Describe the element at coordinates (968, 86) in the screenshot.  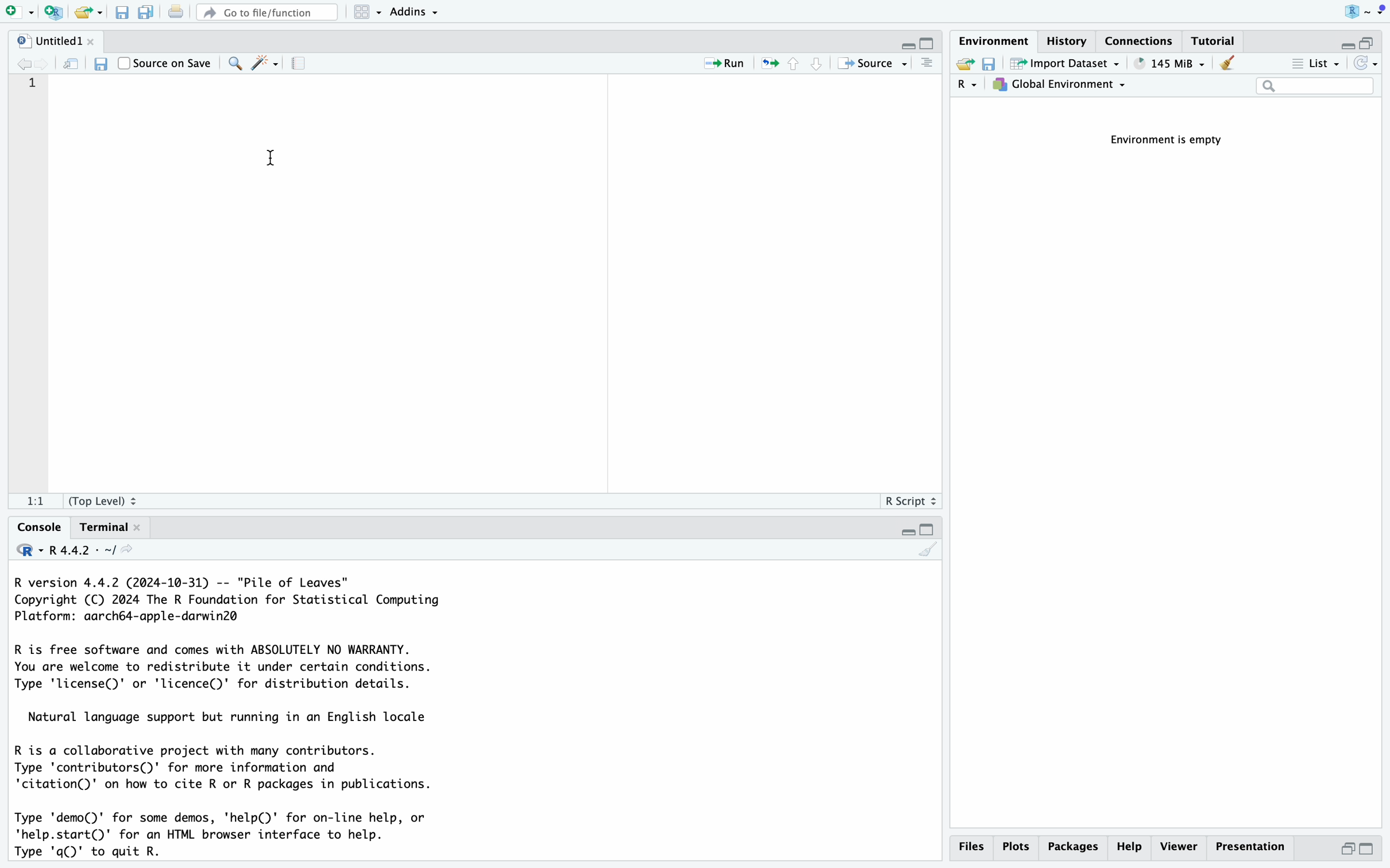
I see `language select` at that location.